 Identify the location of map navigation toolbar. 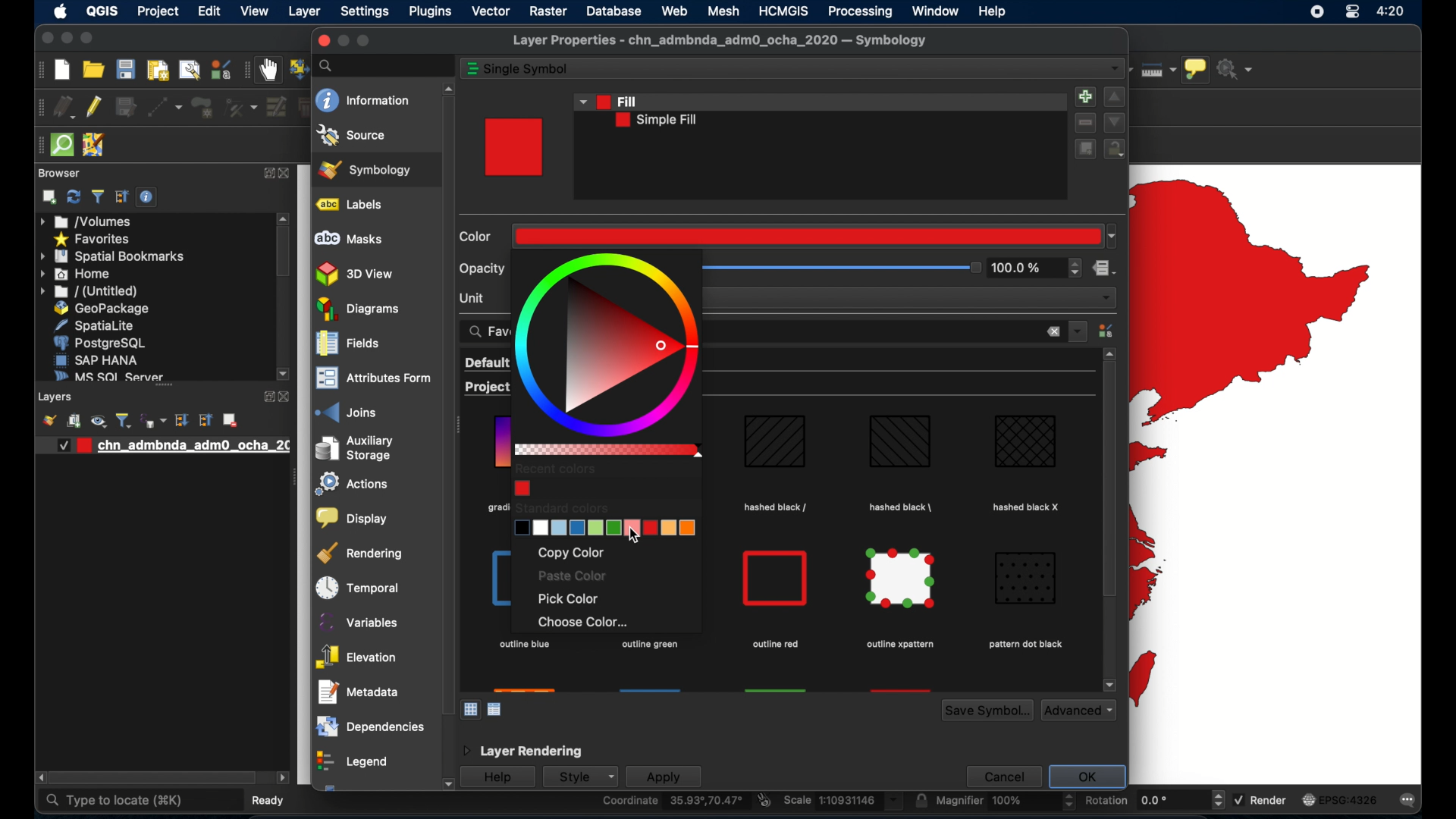
(246, 71).